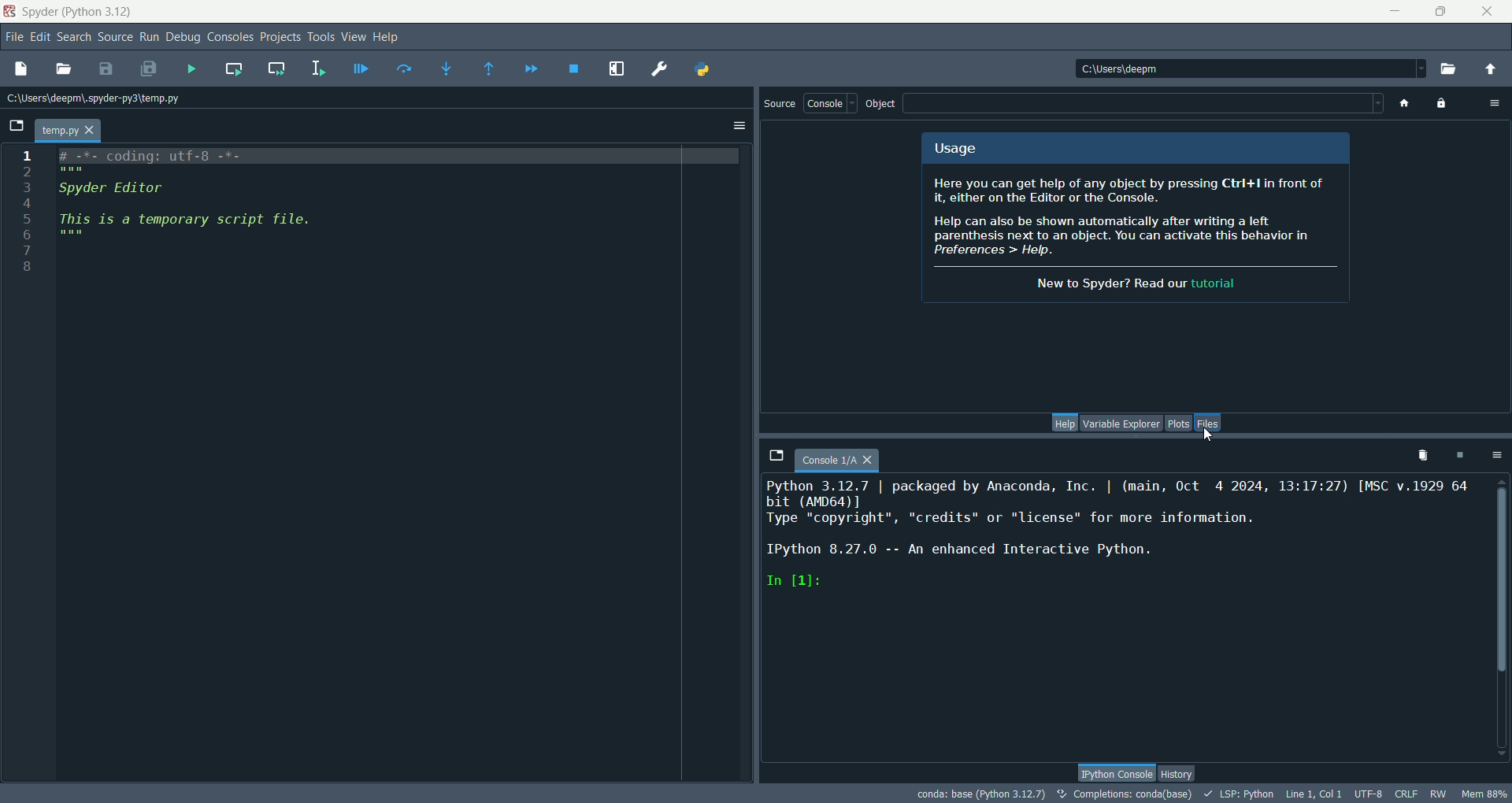  What do you see at coordinates (234, 69) in the screenshot?
I see `run current cell` at bounding box center [234, 69].